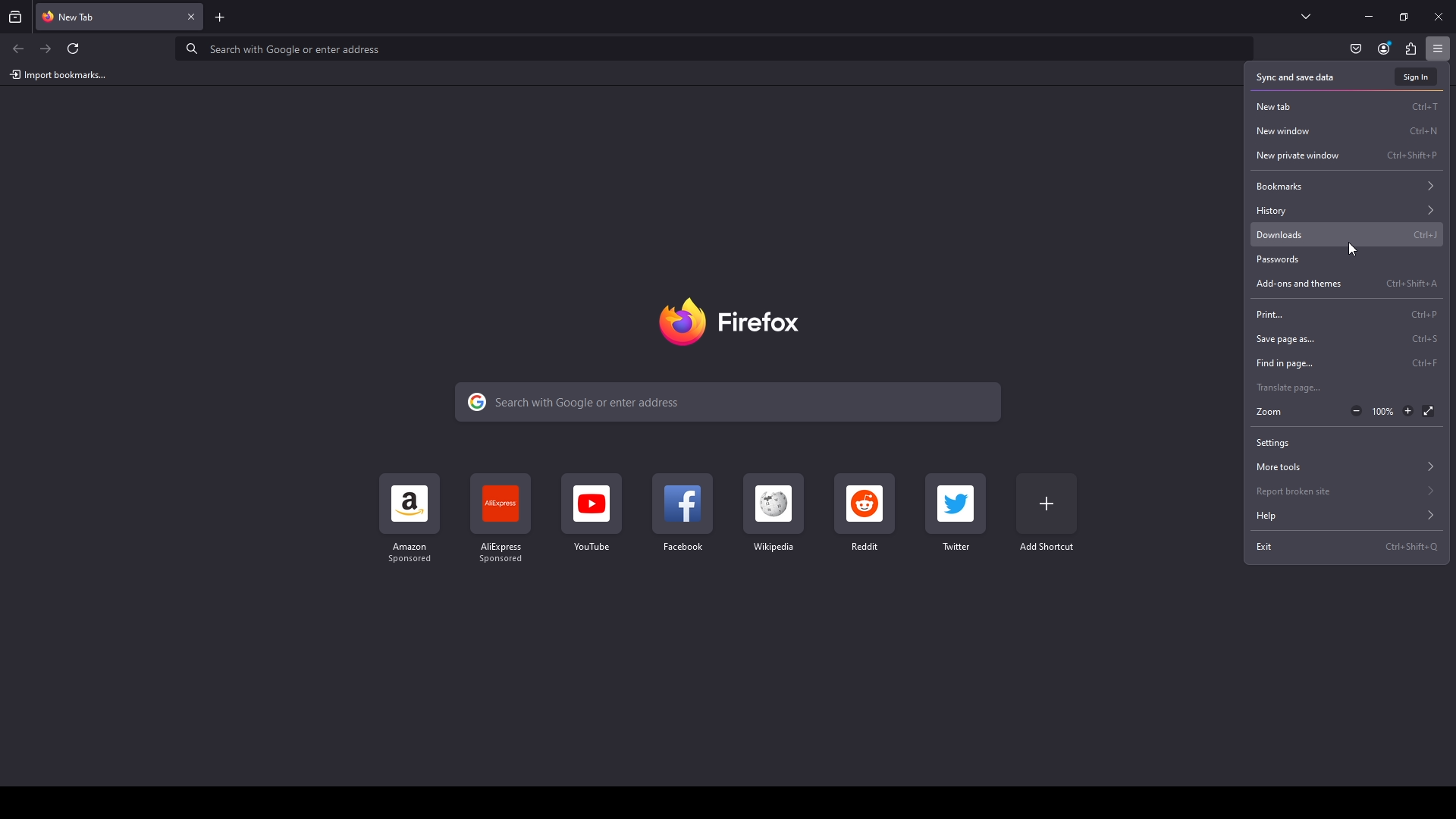 The width and height of the screenshot is (1456, 819). I want to click on Report broken site, so click(1348, 490).